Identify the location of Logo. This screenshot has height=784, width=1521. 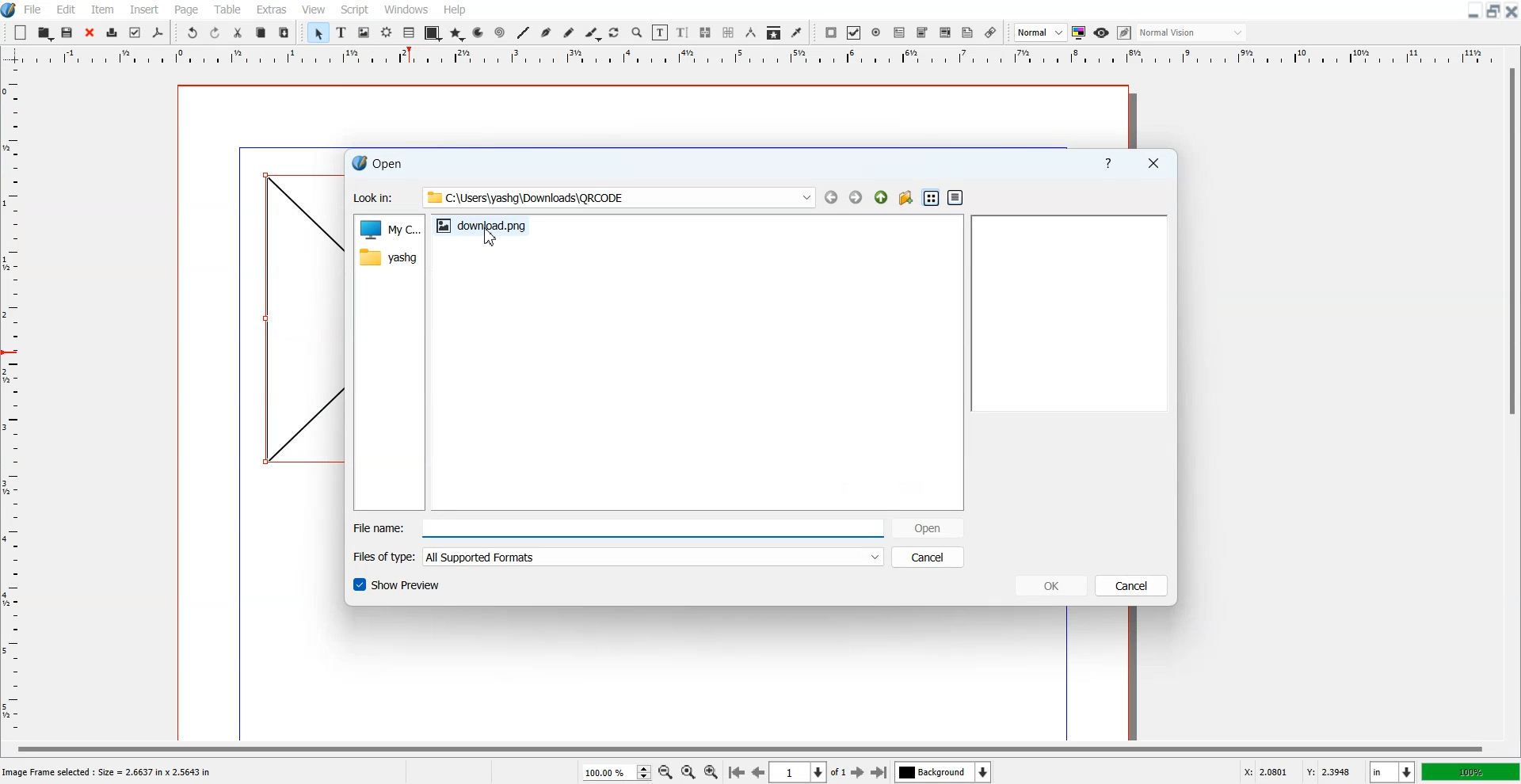
(10, 10).